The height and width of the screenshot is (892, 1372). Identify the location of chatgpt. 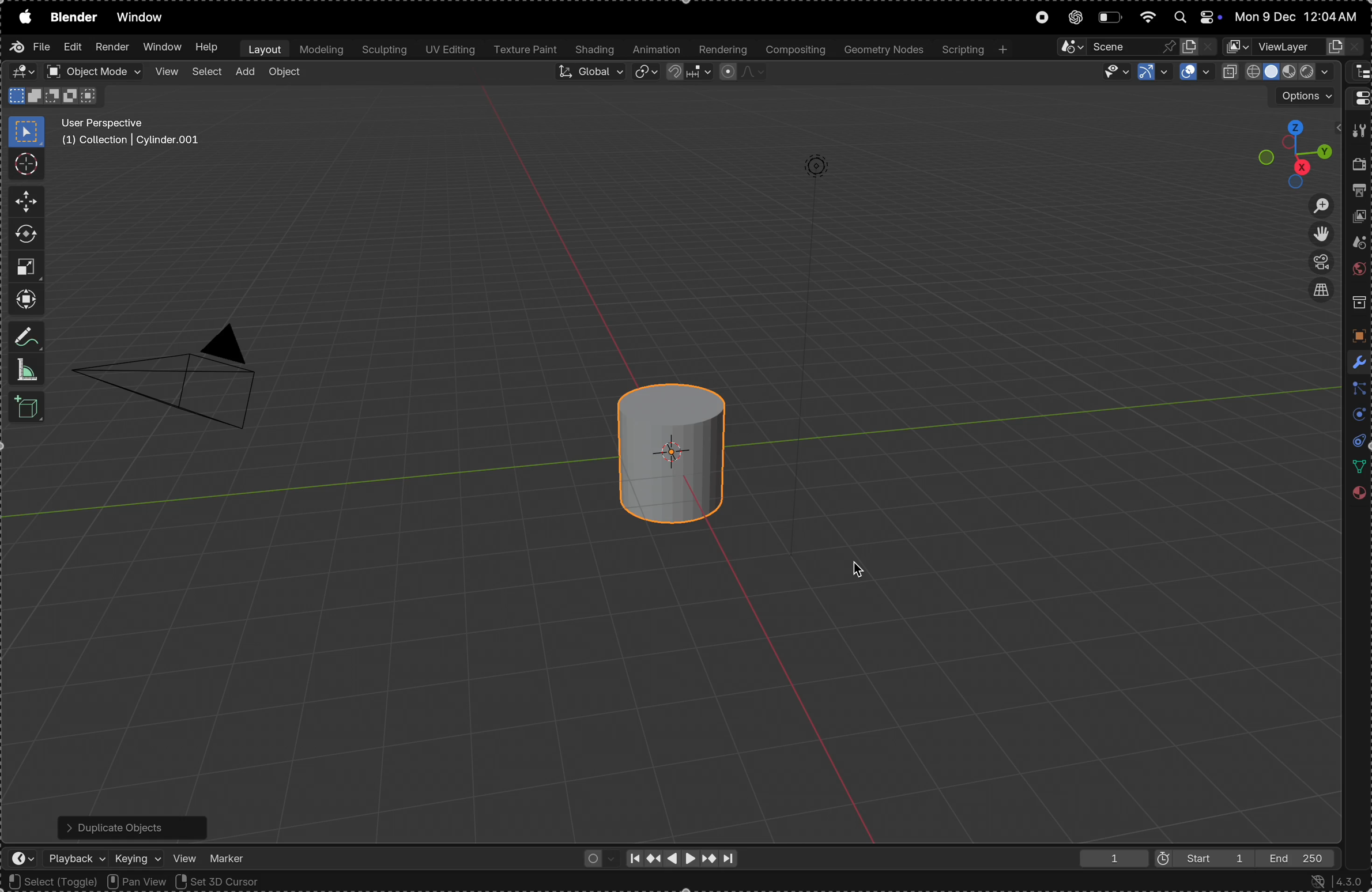
(1072, 18).